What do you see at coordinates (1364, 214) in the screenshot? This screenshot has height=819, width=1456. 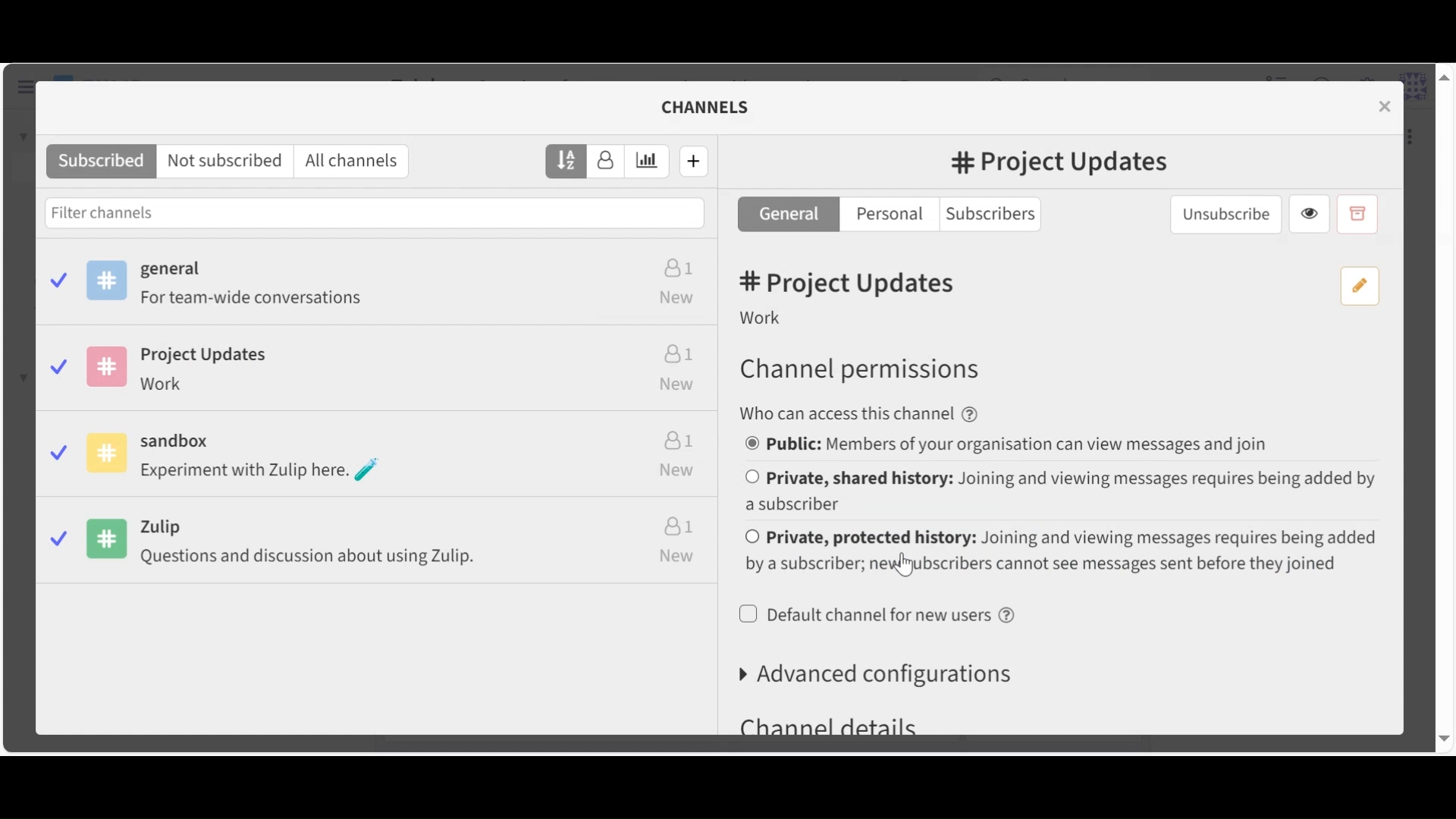 I see `Archive Channel` at bounding box center [1364, 214].